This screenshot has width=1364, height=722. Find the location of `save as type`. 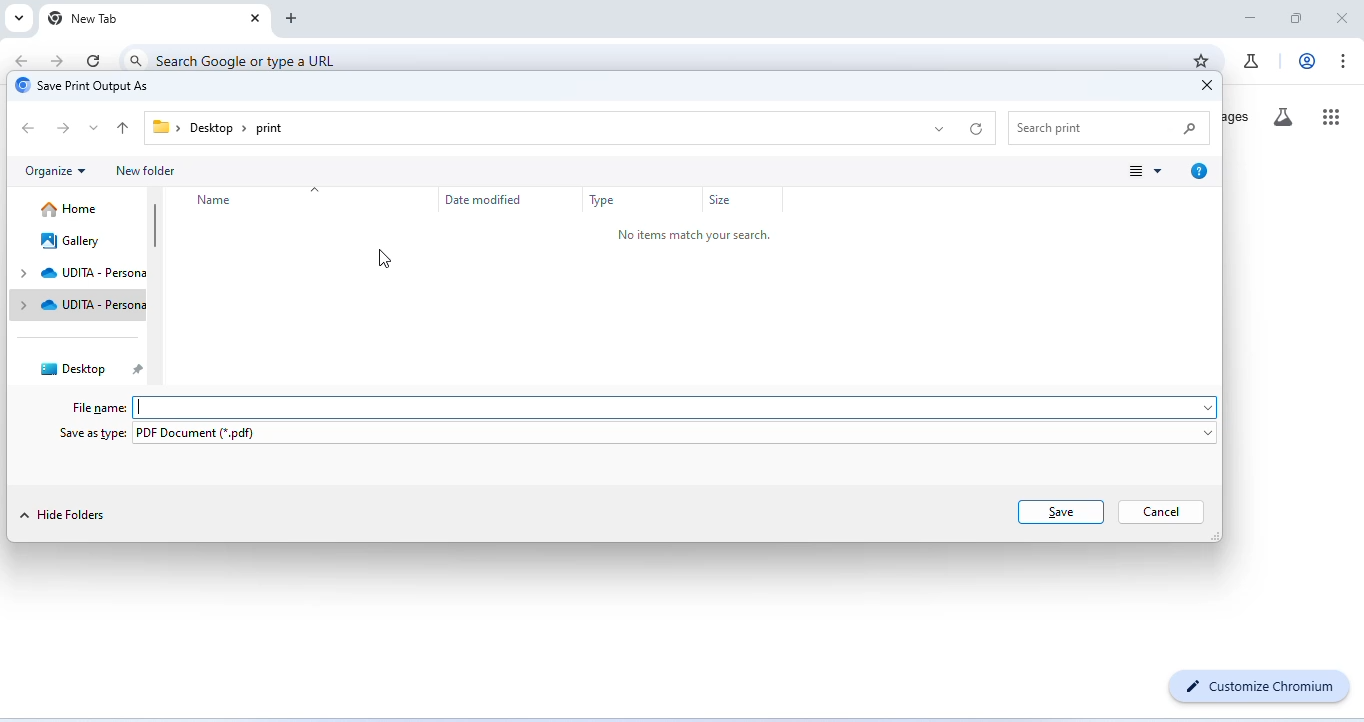

save as type is located at coordinates (92, 435).